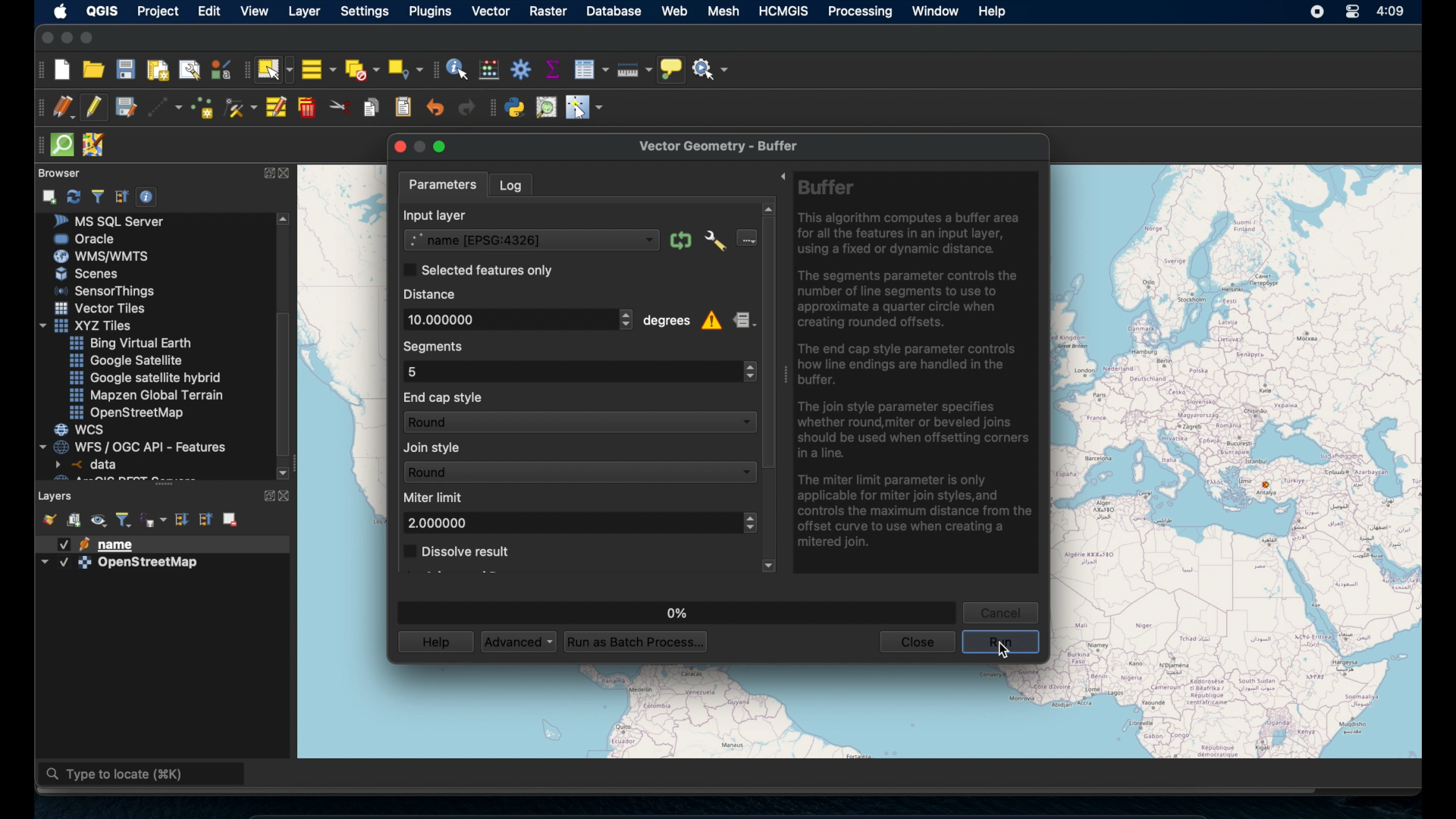  I want to click on help, so click(993, 11).